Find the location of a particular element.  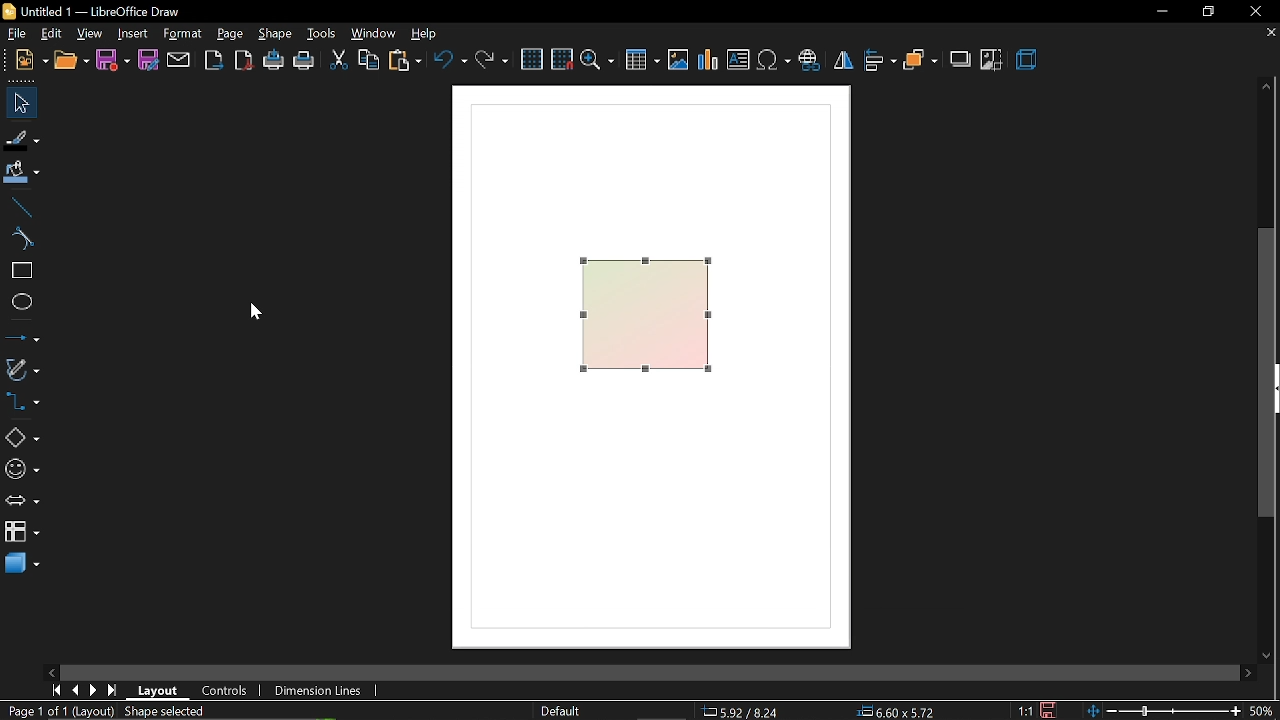

save as is located at coordinates (150, 61).